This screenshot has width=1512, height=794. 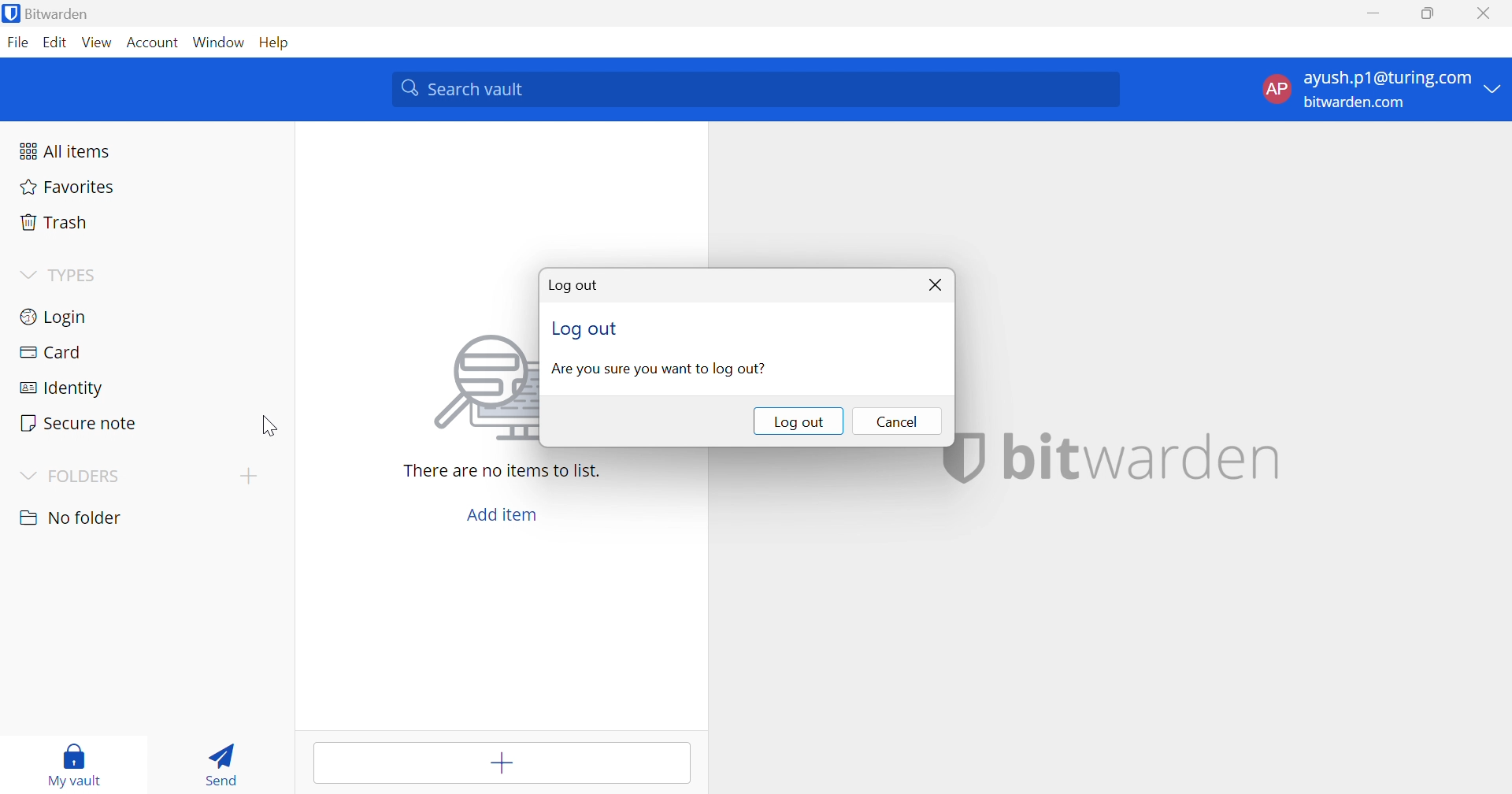 What do you see at coordinates (98, 43) in the screenshot?
I see `View` at bounding box center [98, 43].